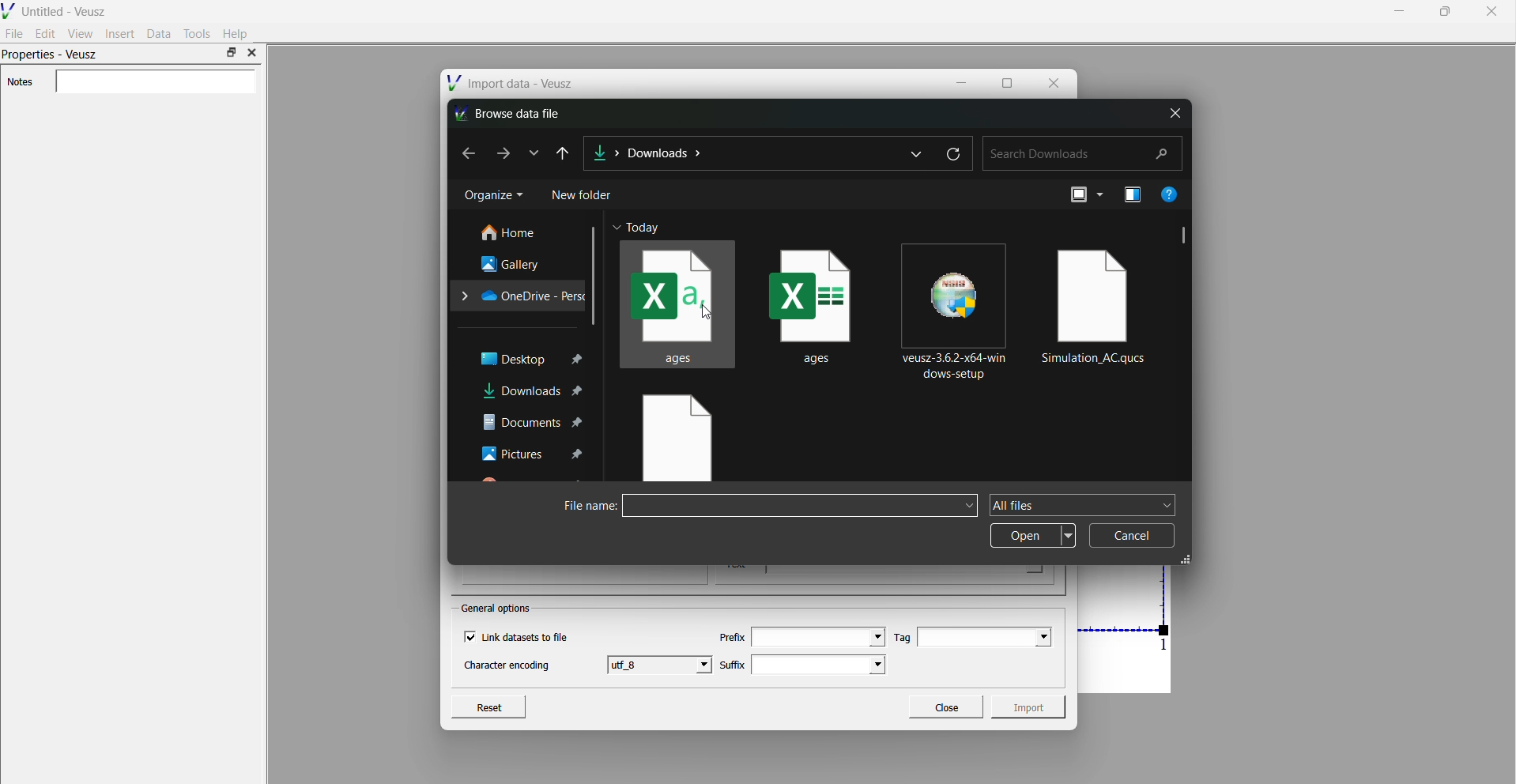 The width and height of the screenshot is (1516, 784). Describe the element at coordinates (1033, 536) in the screenshot. I see `Open` at that location.